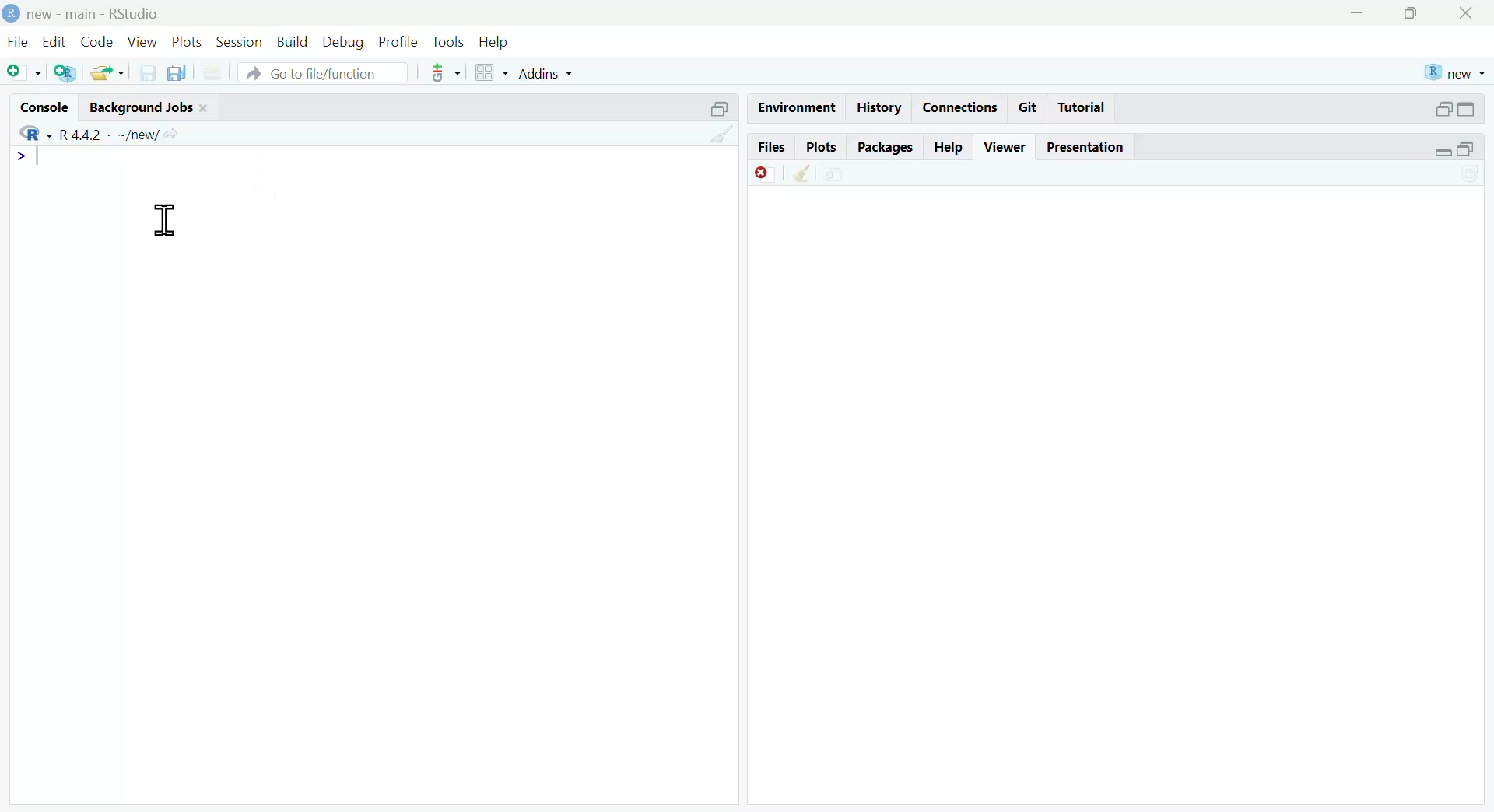  I want to click on D new - main - RStudio, so click(93, 13).